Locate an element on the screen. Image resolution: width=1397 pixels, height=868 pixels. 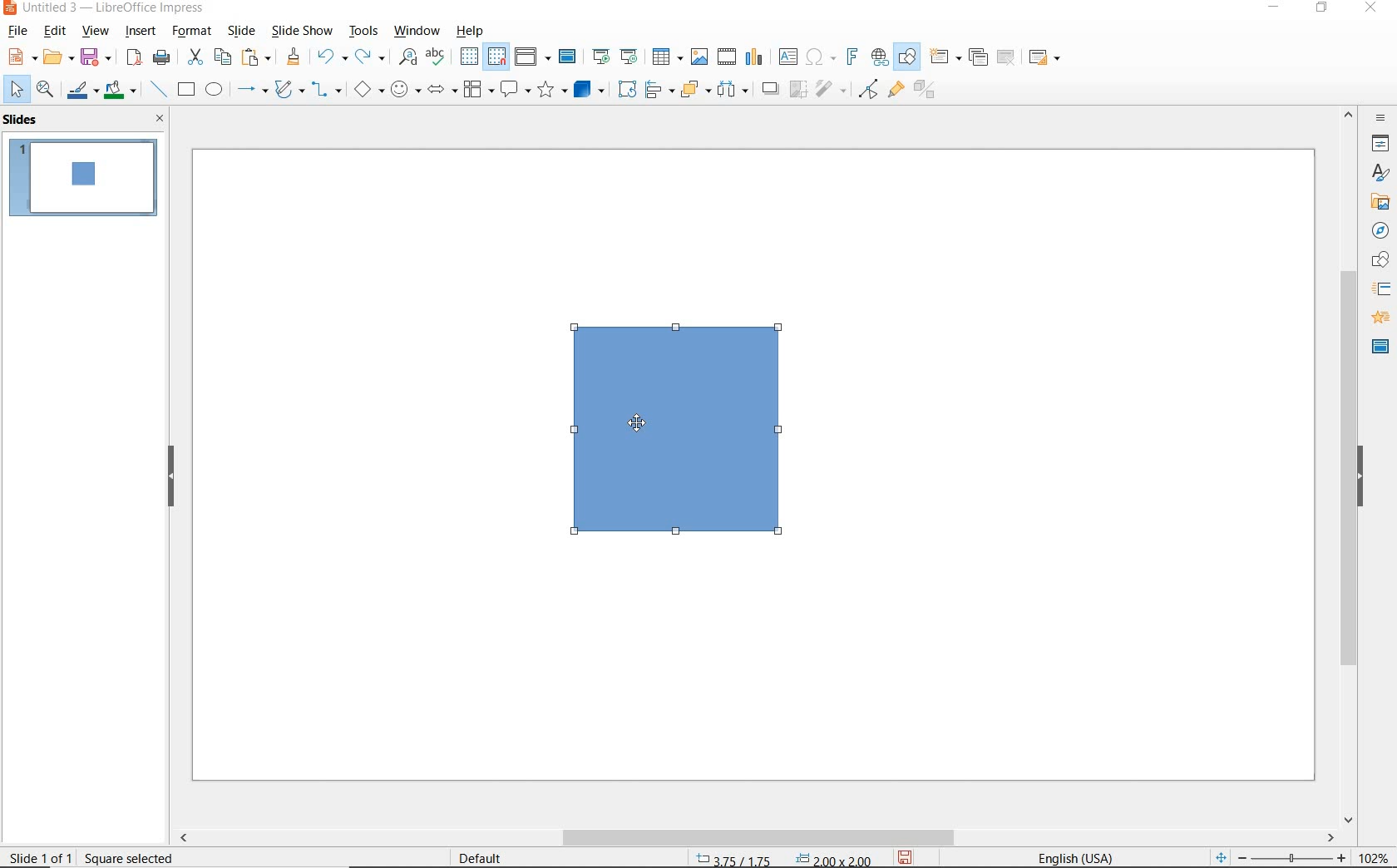
curves and polygons is located at coordinates (288, 91).